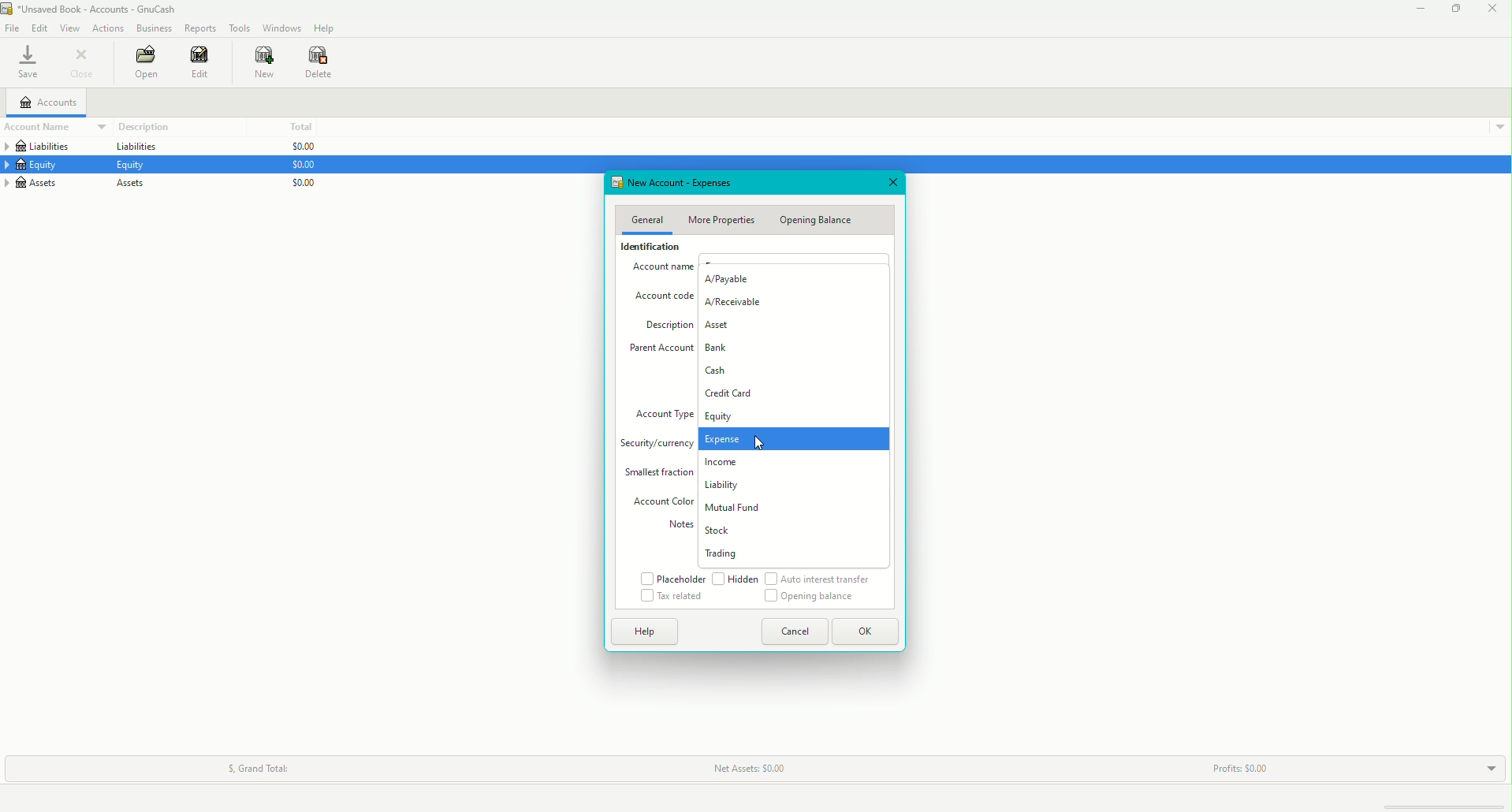 The height and width of the screenshot is (812, 1512). What do you see at coordinates (724, 485) in the screenshot?
I see `Liability` at bounding box center [724, 485].